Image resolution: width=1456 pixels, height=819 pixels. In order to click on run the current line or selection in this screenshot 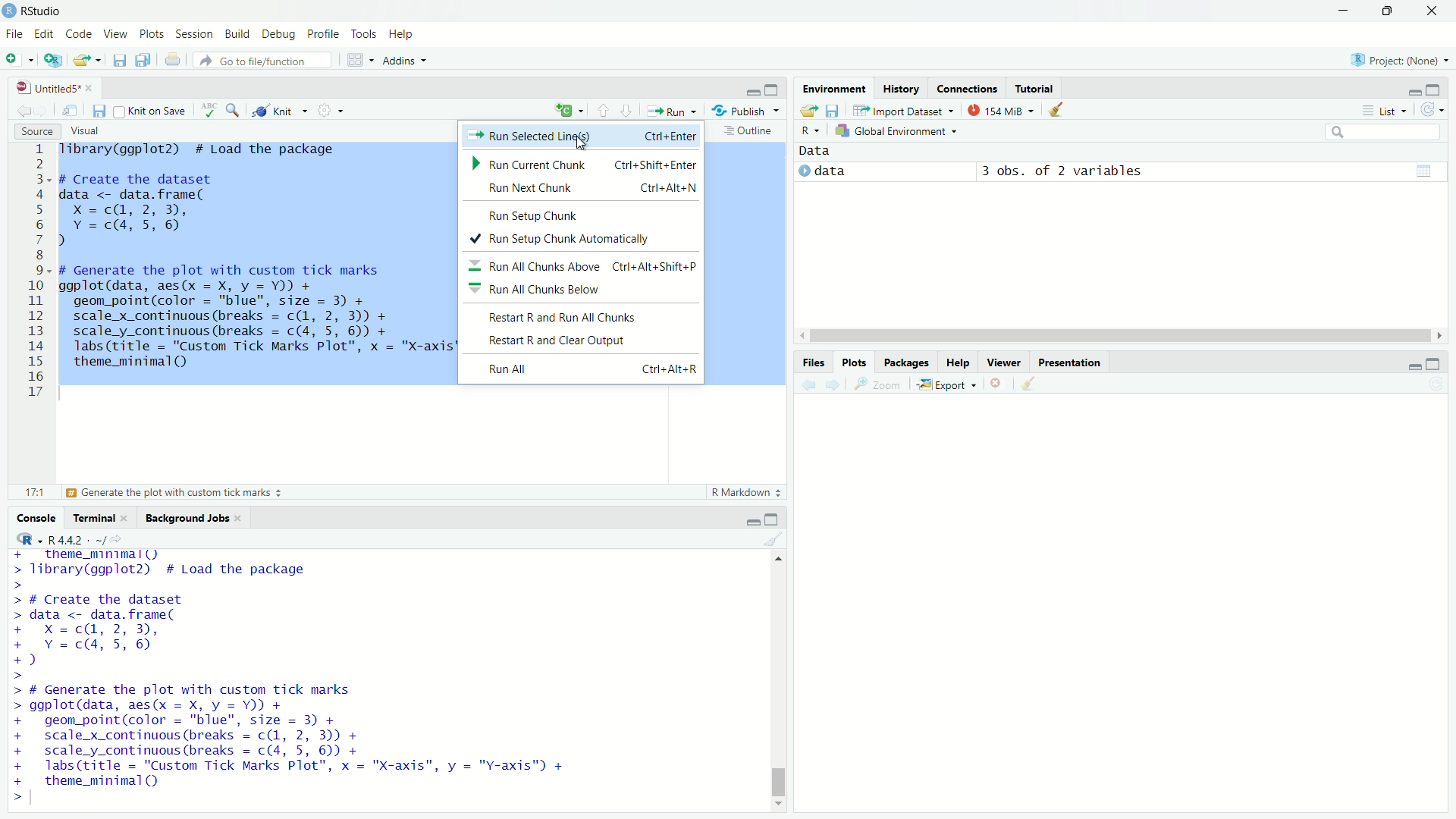, I will do `click(676, 111)`.